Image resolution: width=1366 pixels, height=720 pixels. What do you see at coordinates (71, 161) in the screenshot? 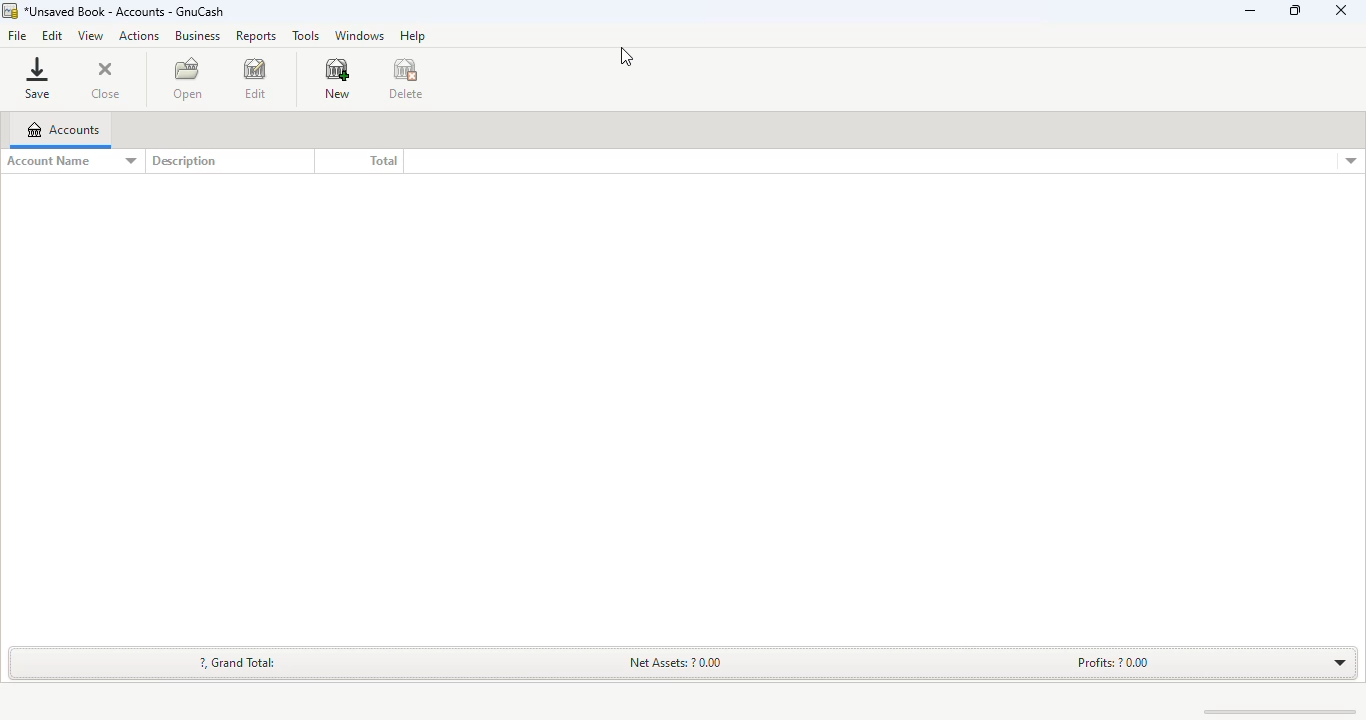
I see `account name` at bounding box center [71, 161].